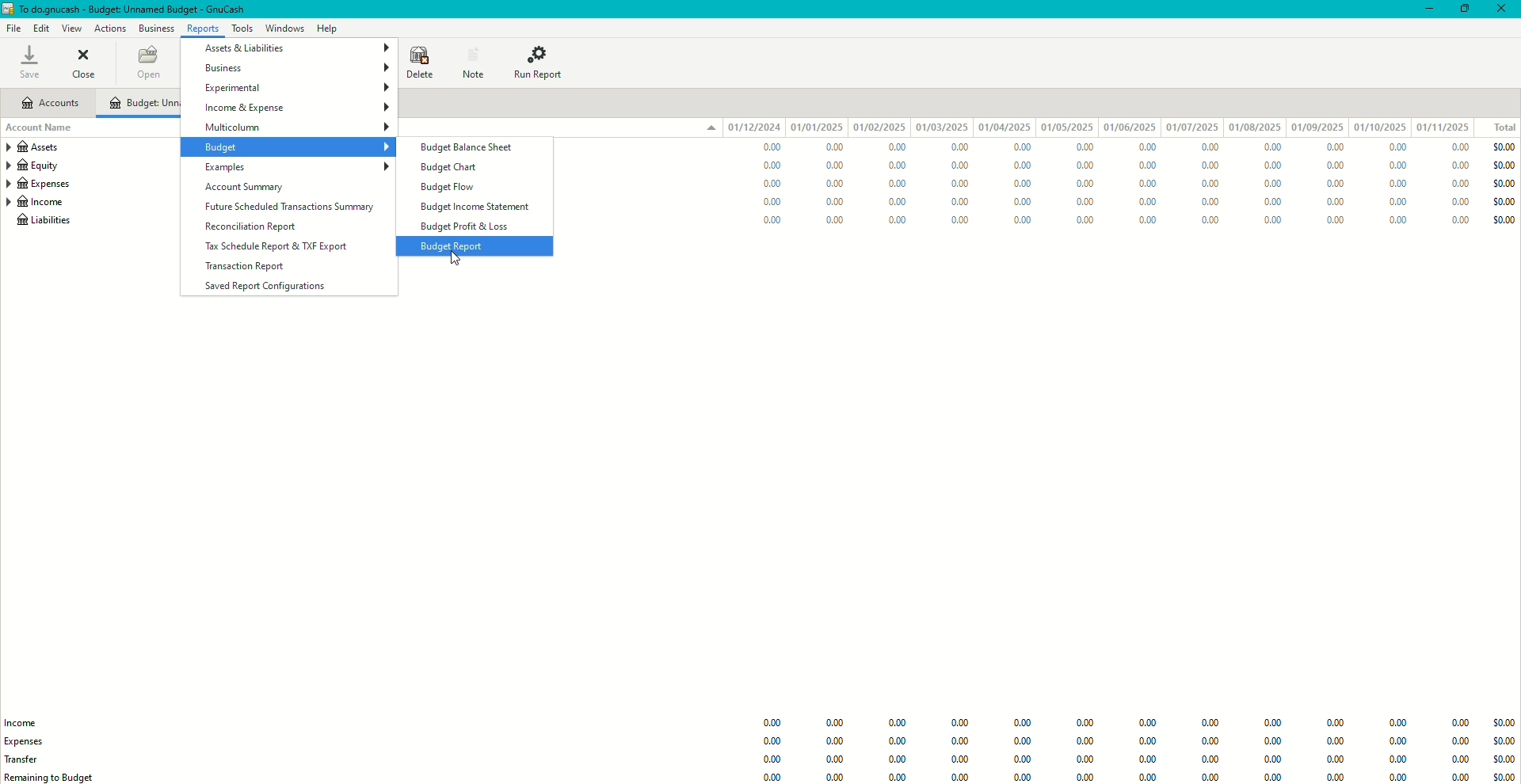  What do you see at coordinates (44, 129) in the screenshot?
I see `Account Name` at bounding box center [44, 129].